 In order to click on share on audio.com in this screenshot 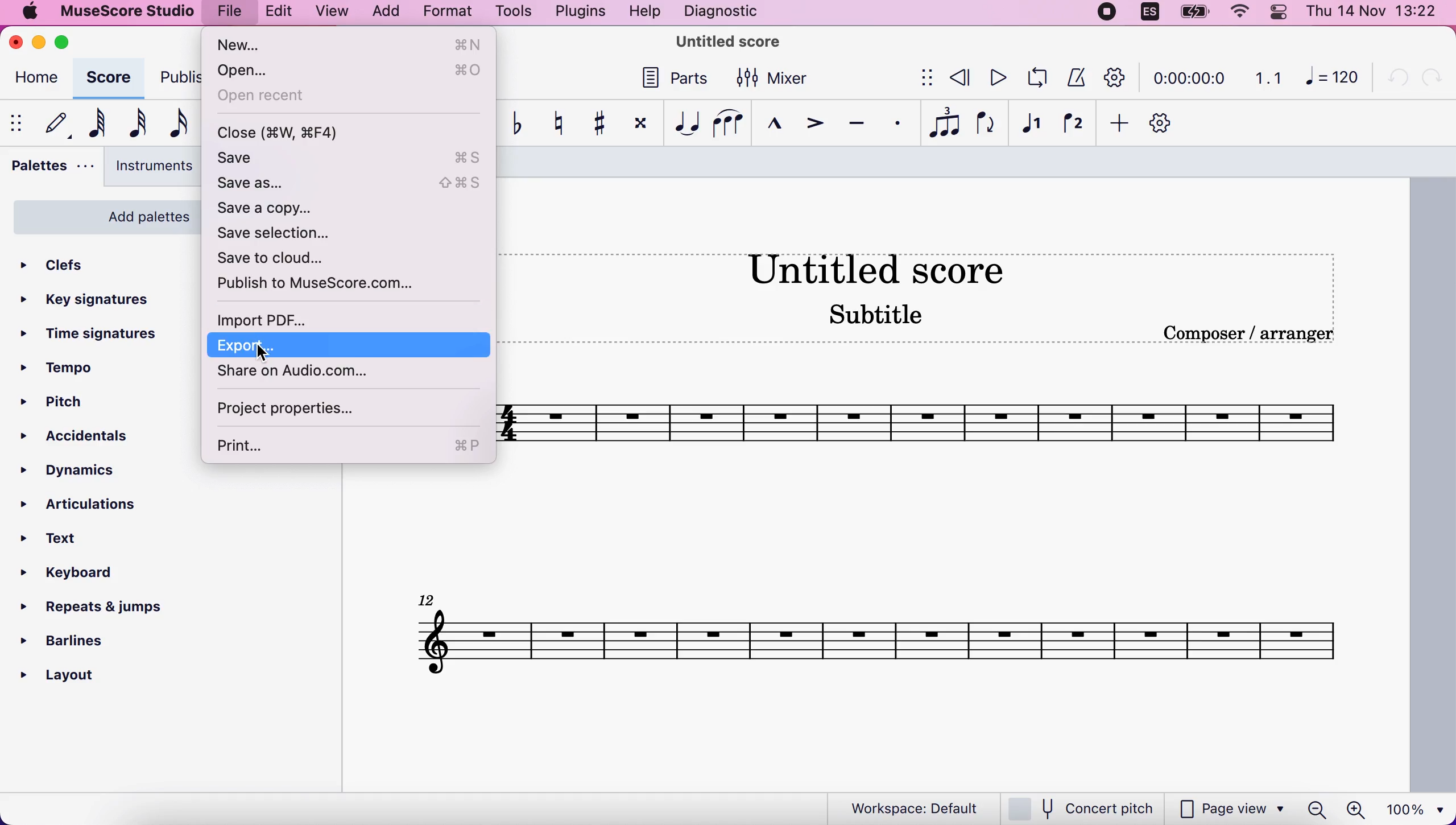, I will do `click(330, 373)`.